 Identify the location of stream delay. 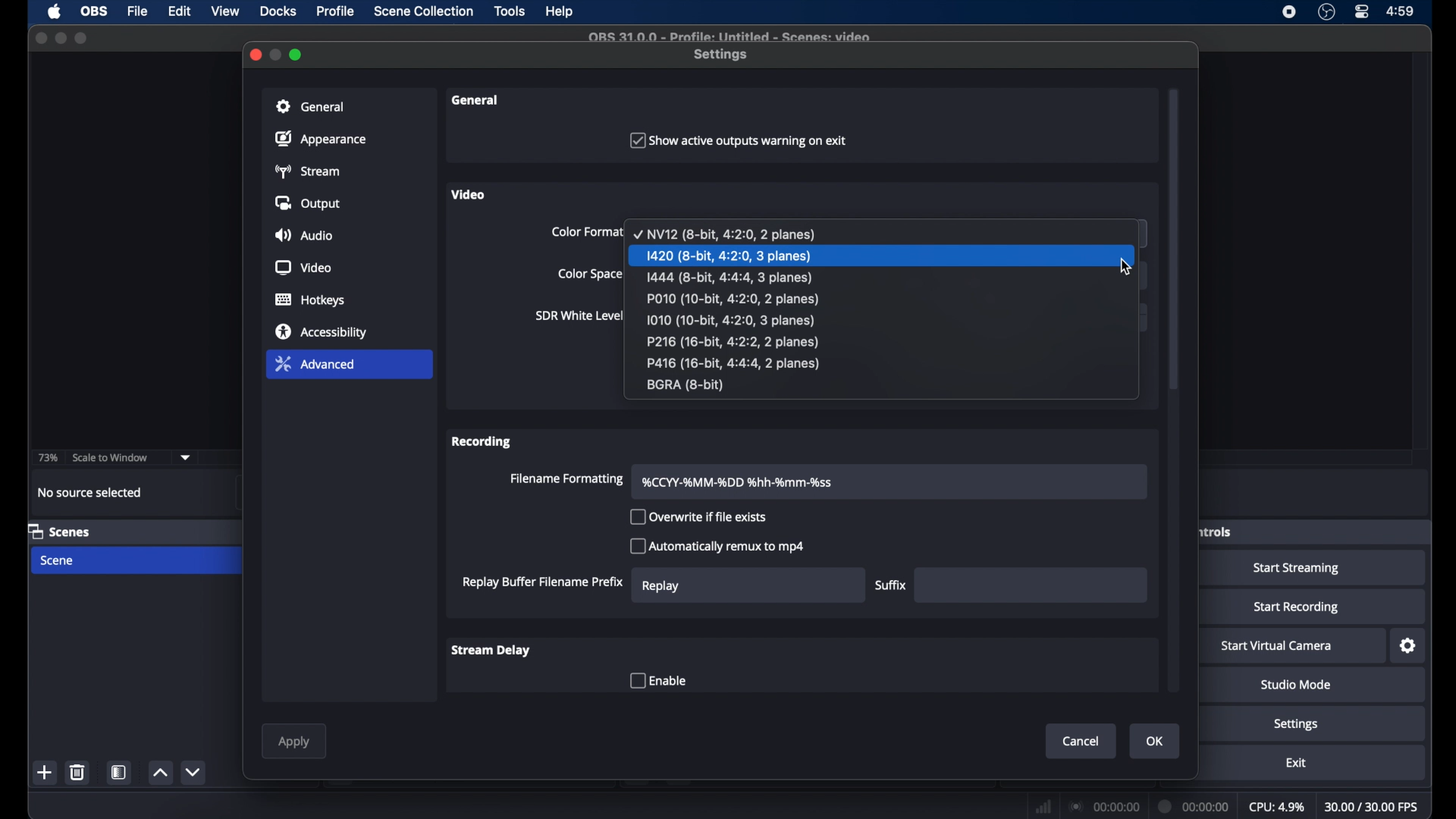
(490, 651).